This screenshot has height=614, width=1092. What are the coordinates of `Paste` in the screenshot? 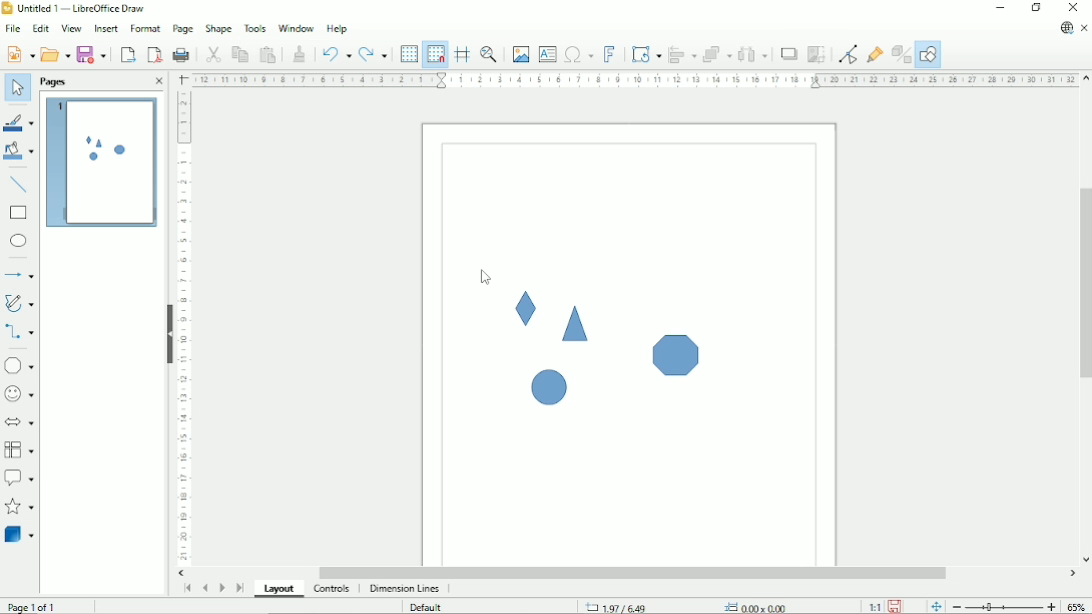 It's located at (268, 54).